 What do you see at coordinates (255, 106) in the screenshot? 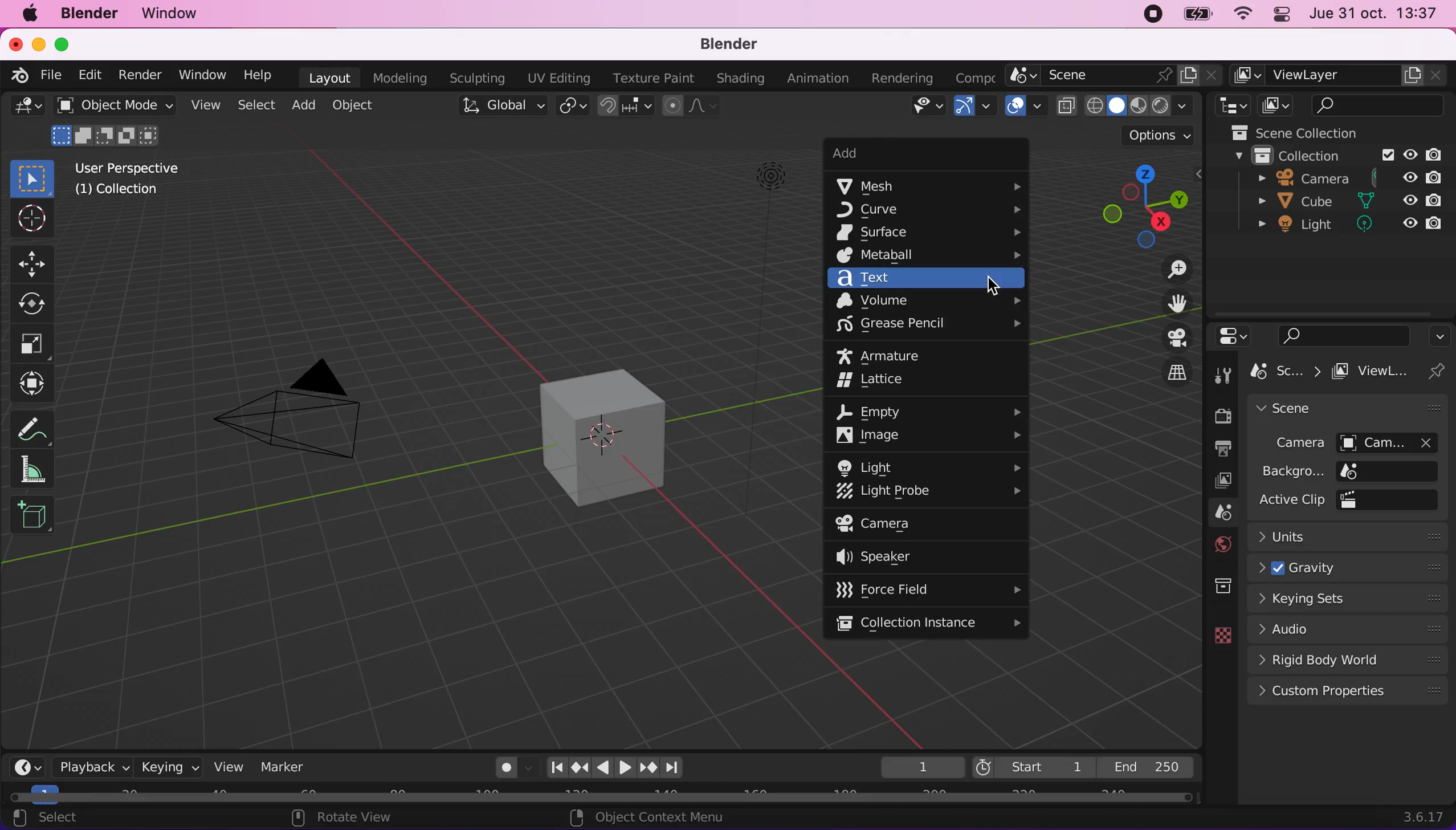
I see `select` at bounding box center [255, 106].